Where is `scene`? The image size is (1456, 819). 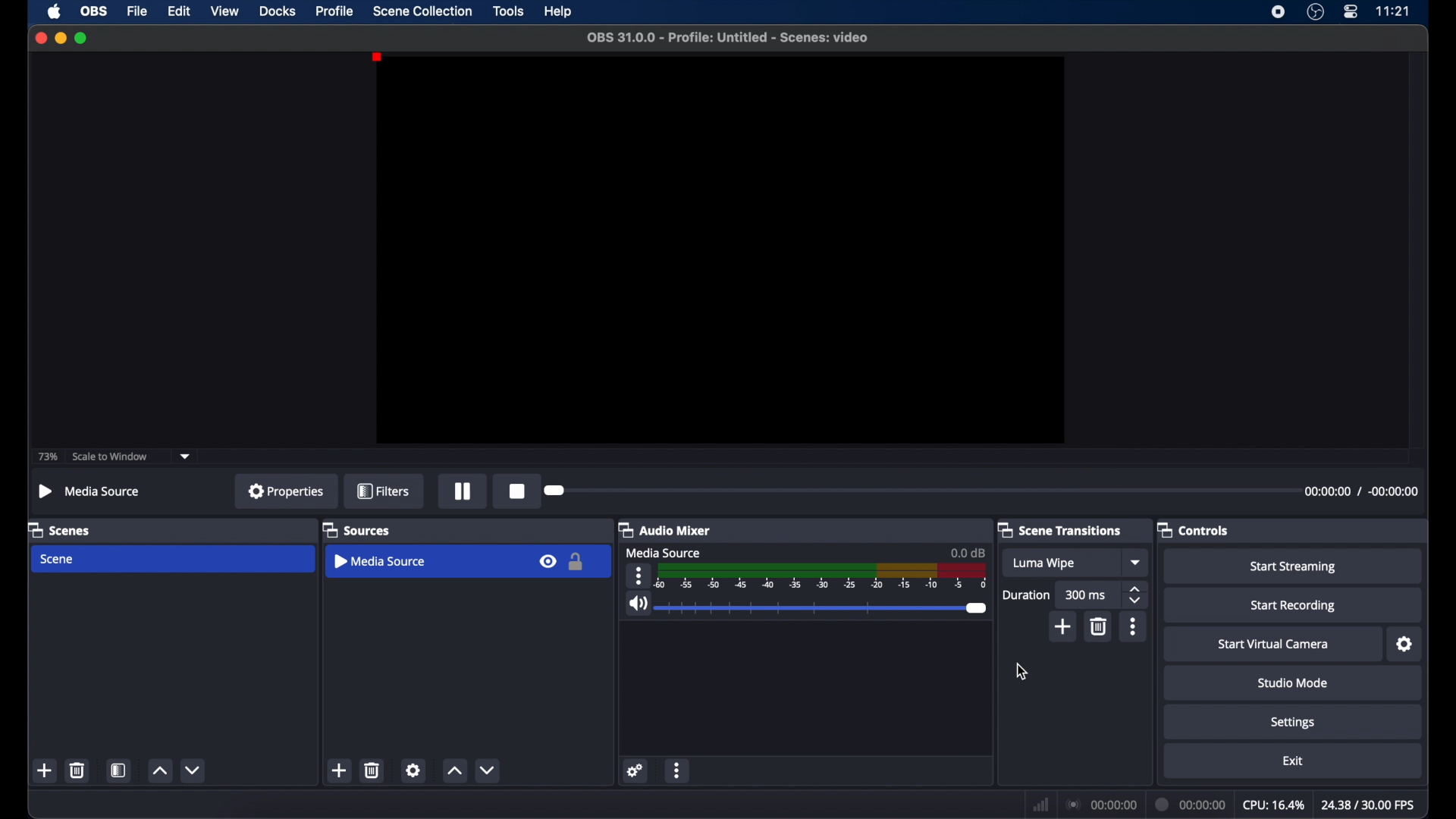
scene is located at coordinates (59, 560).